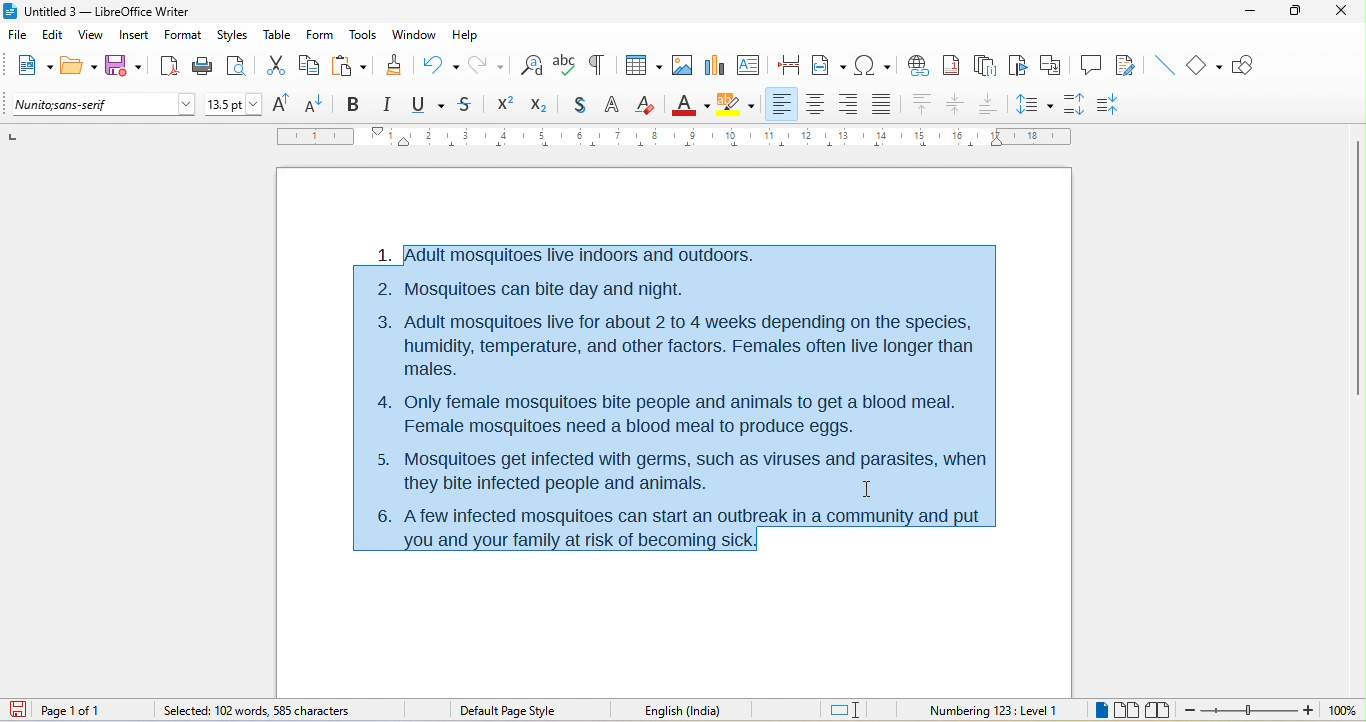  Describe the element at coordinates (321, 36) in the screenshot. I see `form` at that location.